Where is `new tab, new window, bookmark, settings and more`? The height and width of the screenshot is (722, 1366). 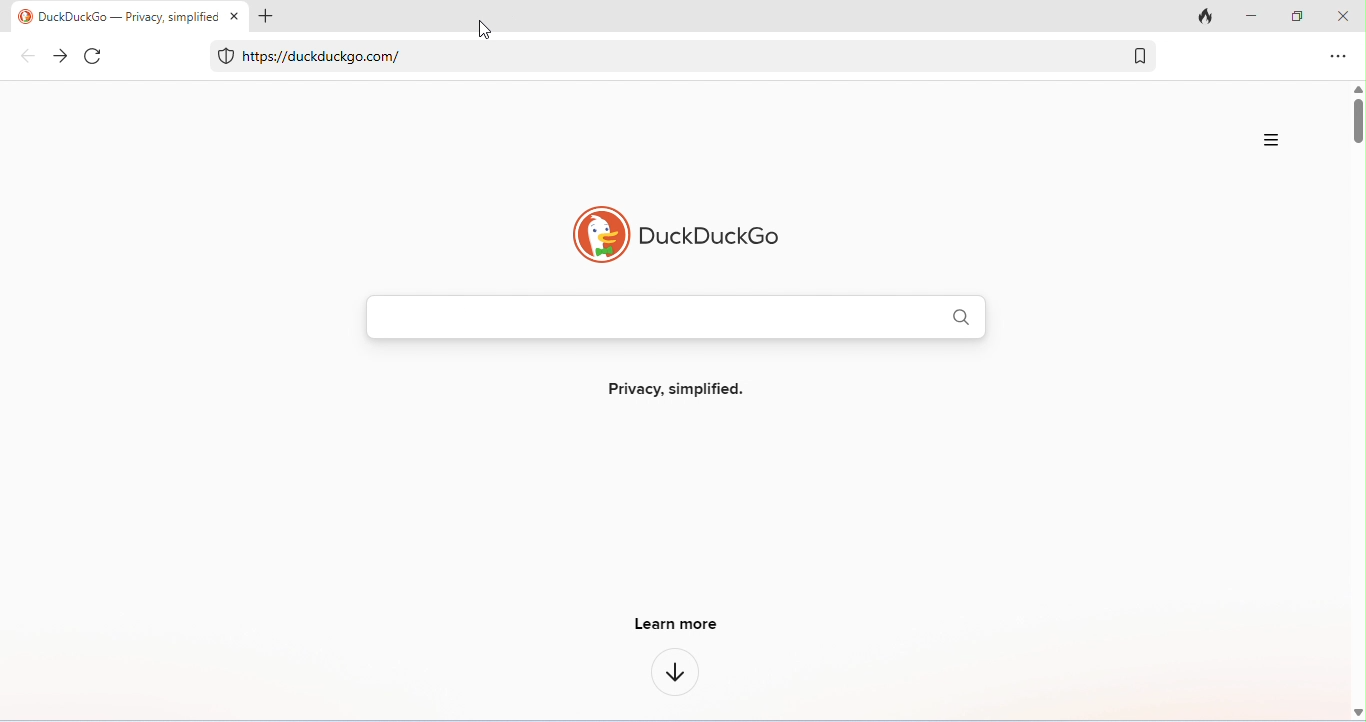 new tab, new window, bookmark, settings and more is located at coordinates (1336, 58).